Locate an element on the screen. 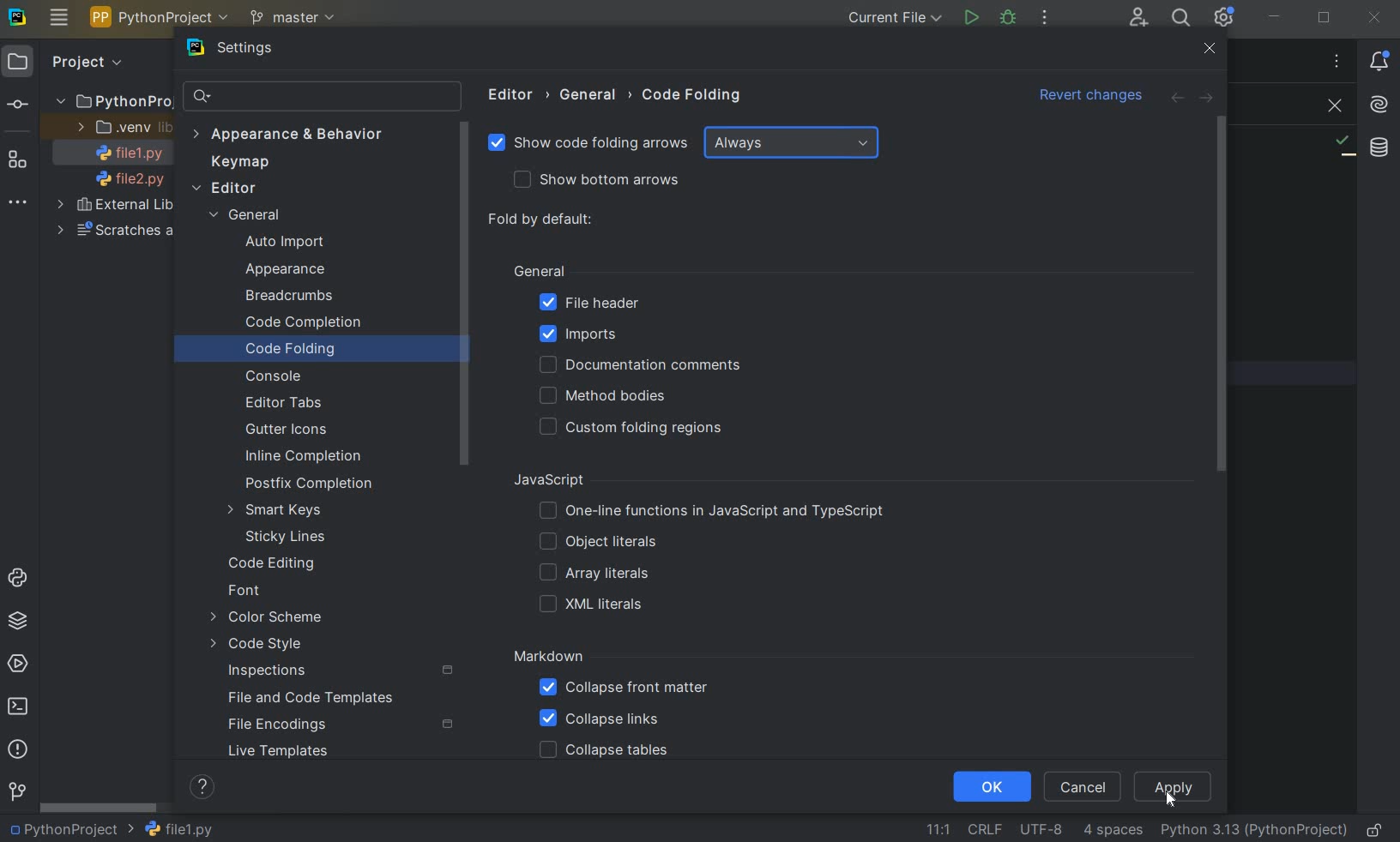  FOLD BY DEFAULT is located at coordinates (547, 220).